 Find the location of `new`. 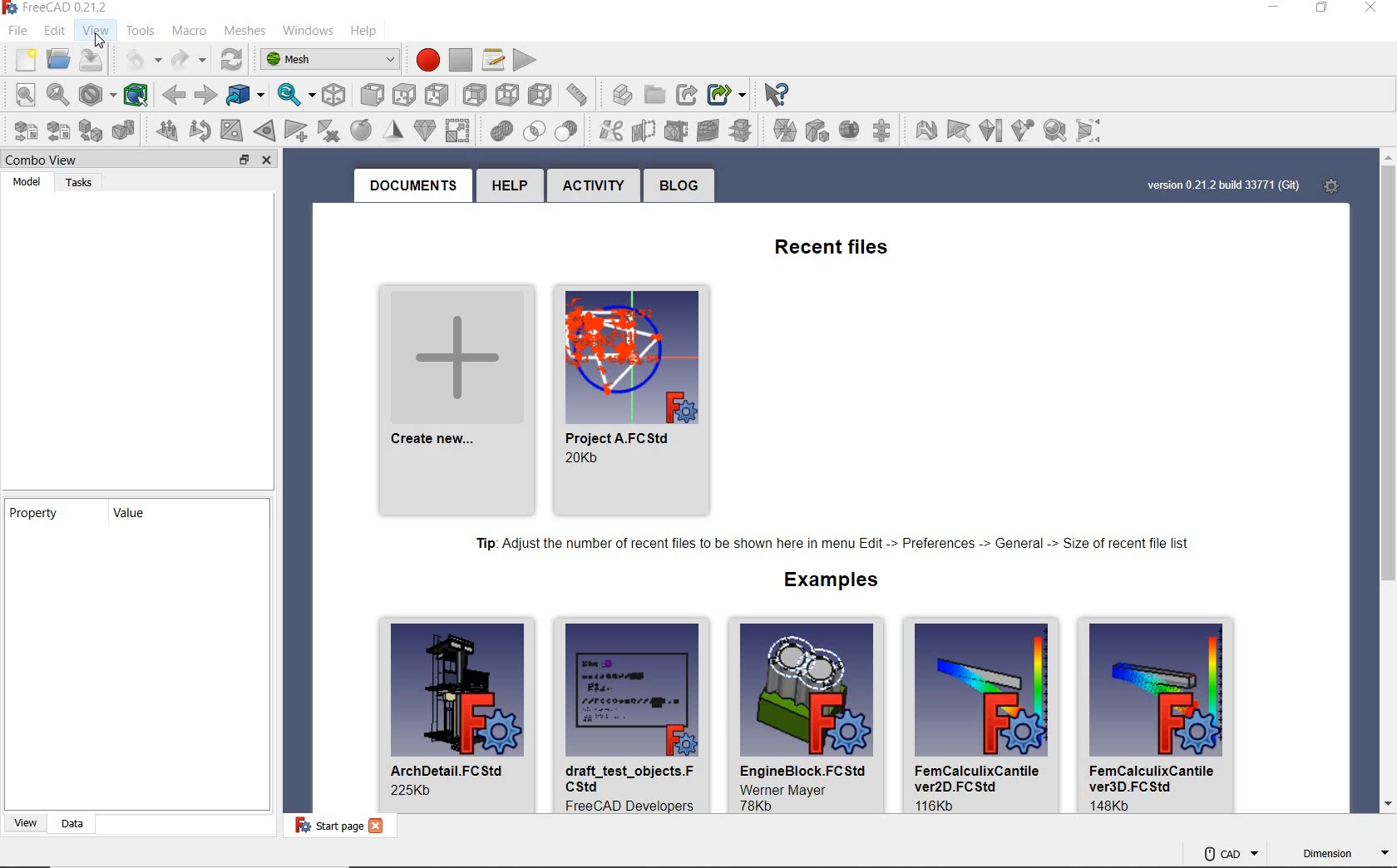

new is located at coordinates (21, 57).